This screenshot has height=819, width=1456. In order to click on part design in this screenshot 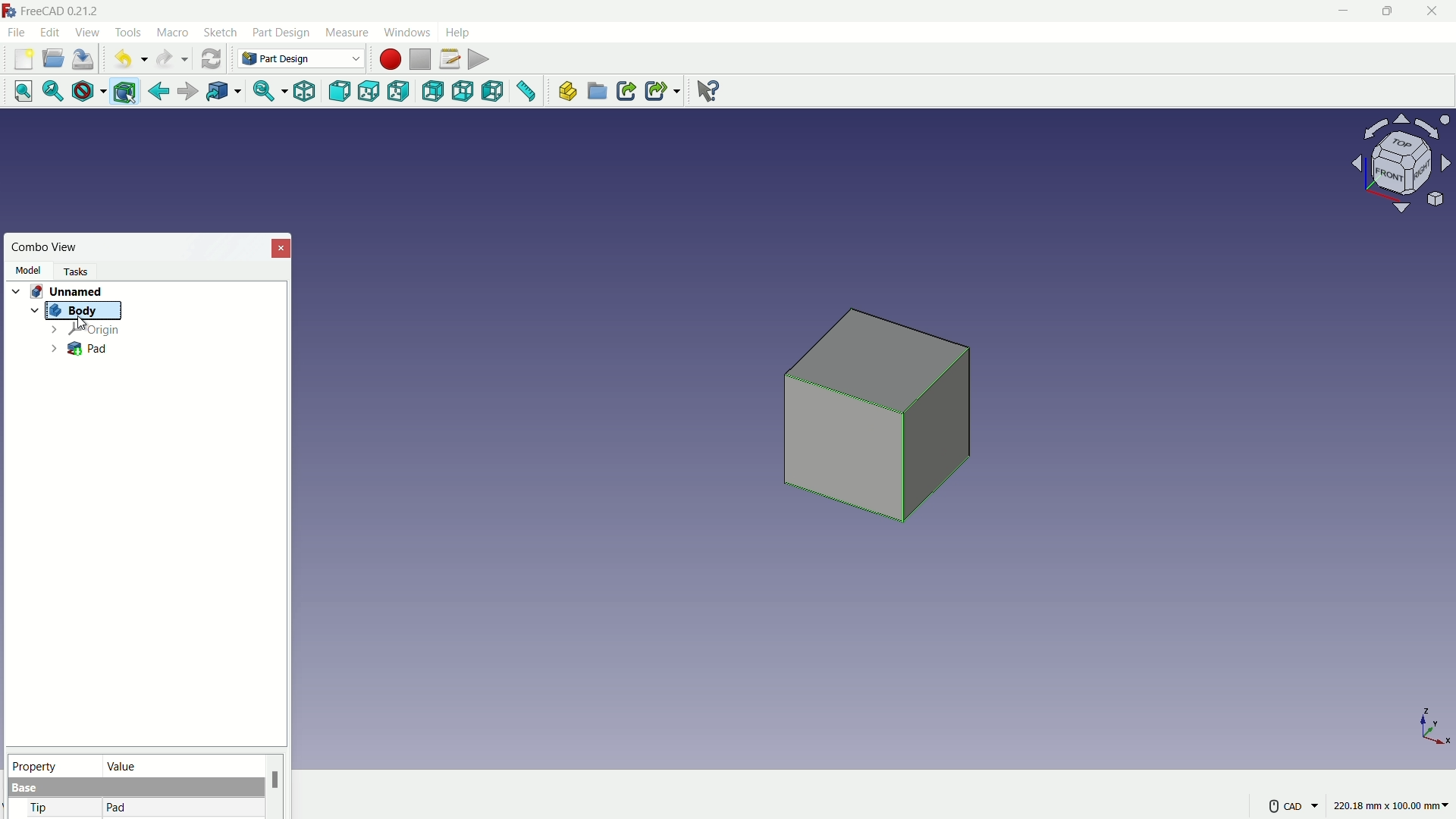, I will do `click(281, 33)`.